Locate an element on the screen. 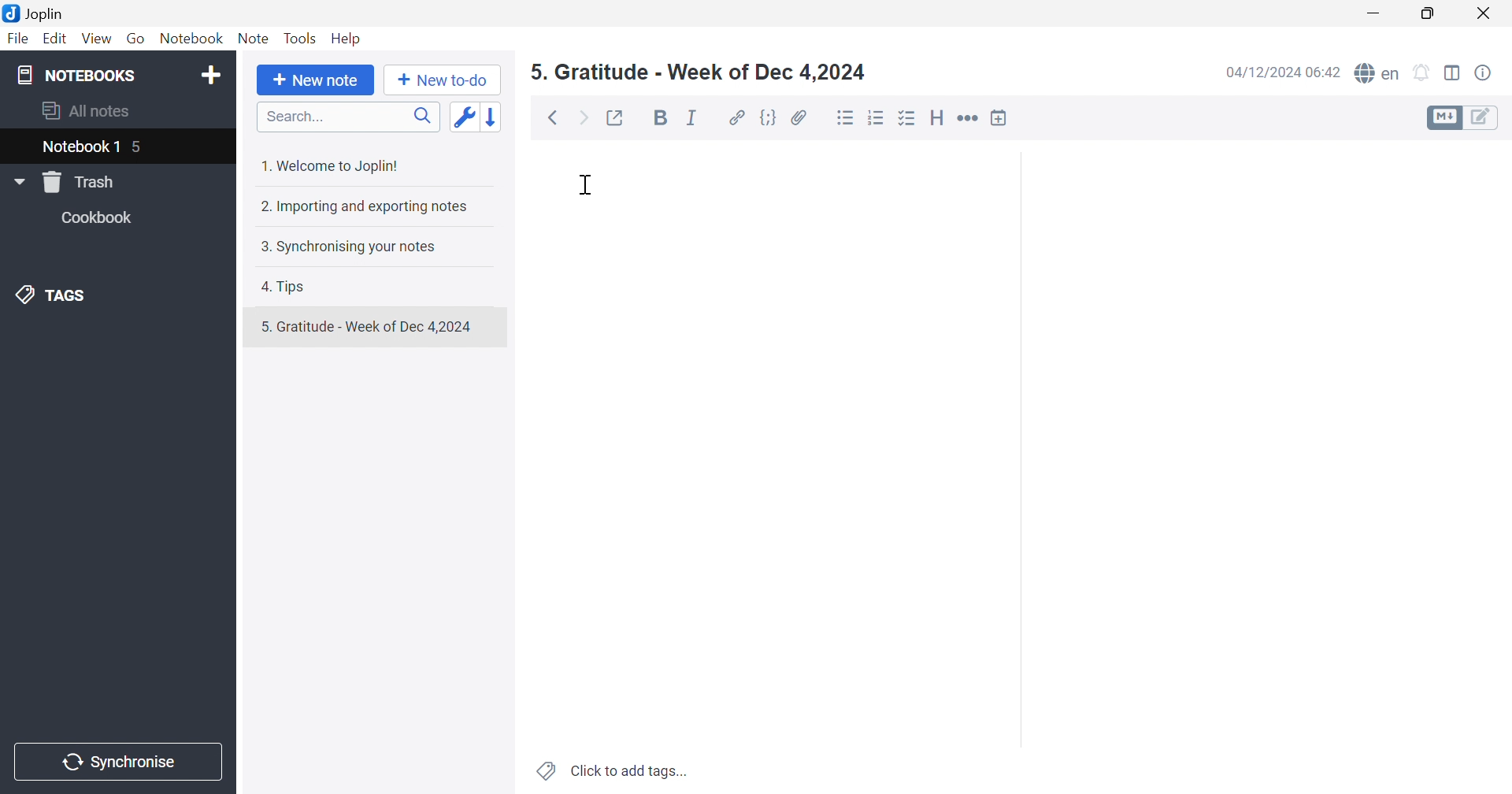  Search is located at coordinates (343, 117).